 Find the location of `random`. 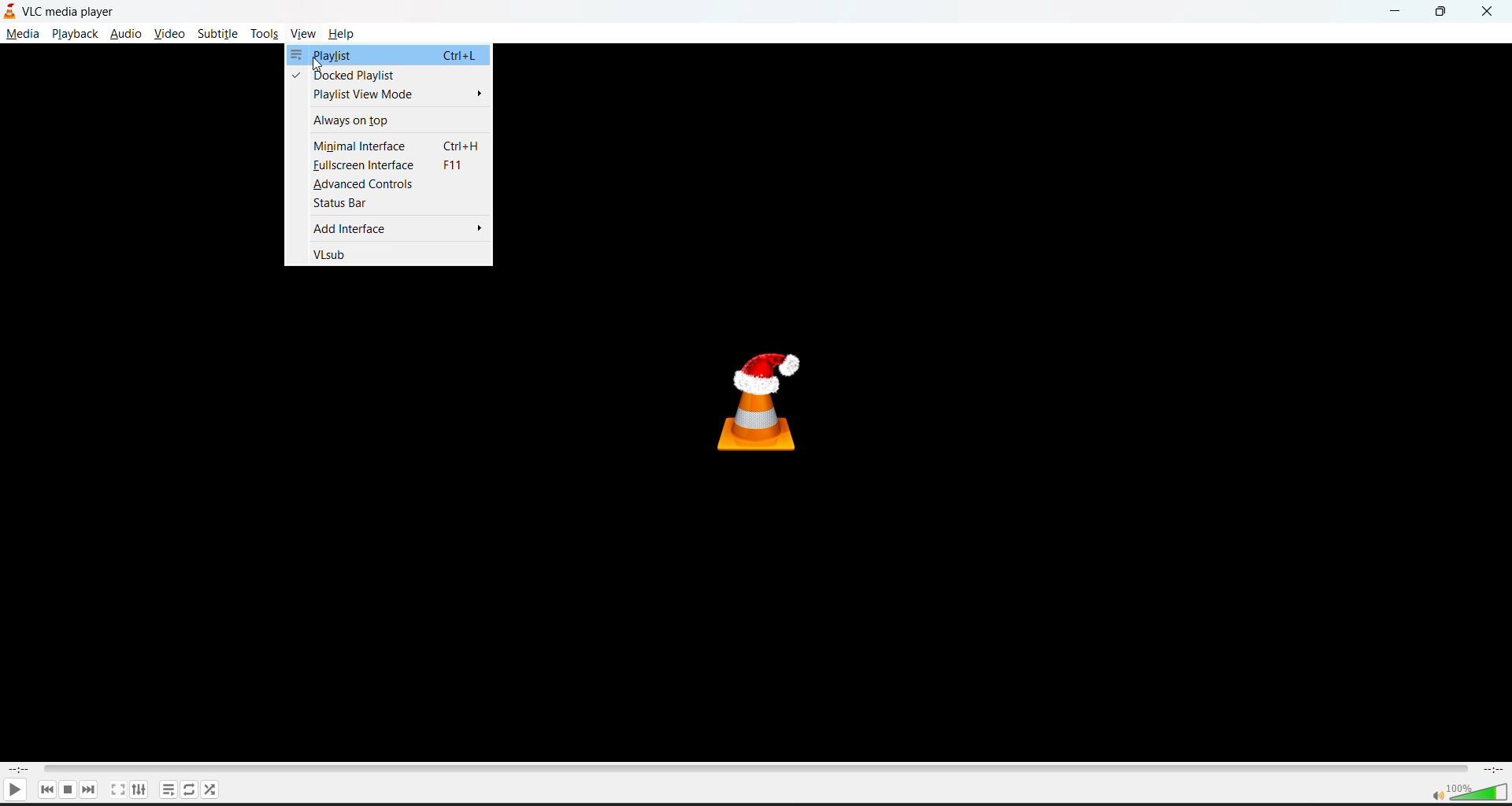

random is located at coordinates (212, 790).